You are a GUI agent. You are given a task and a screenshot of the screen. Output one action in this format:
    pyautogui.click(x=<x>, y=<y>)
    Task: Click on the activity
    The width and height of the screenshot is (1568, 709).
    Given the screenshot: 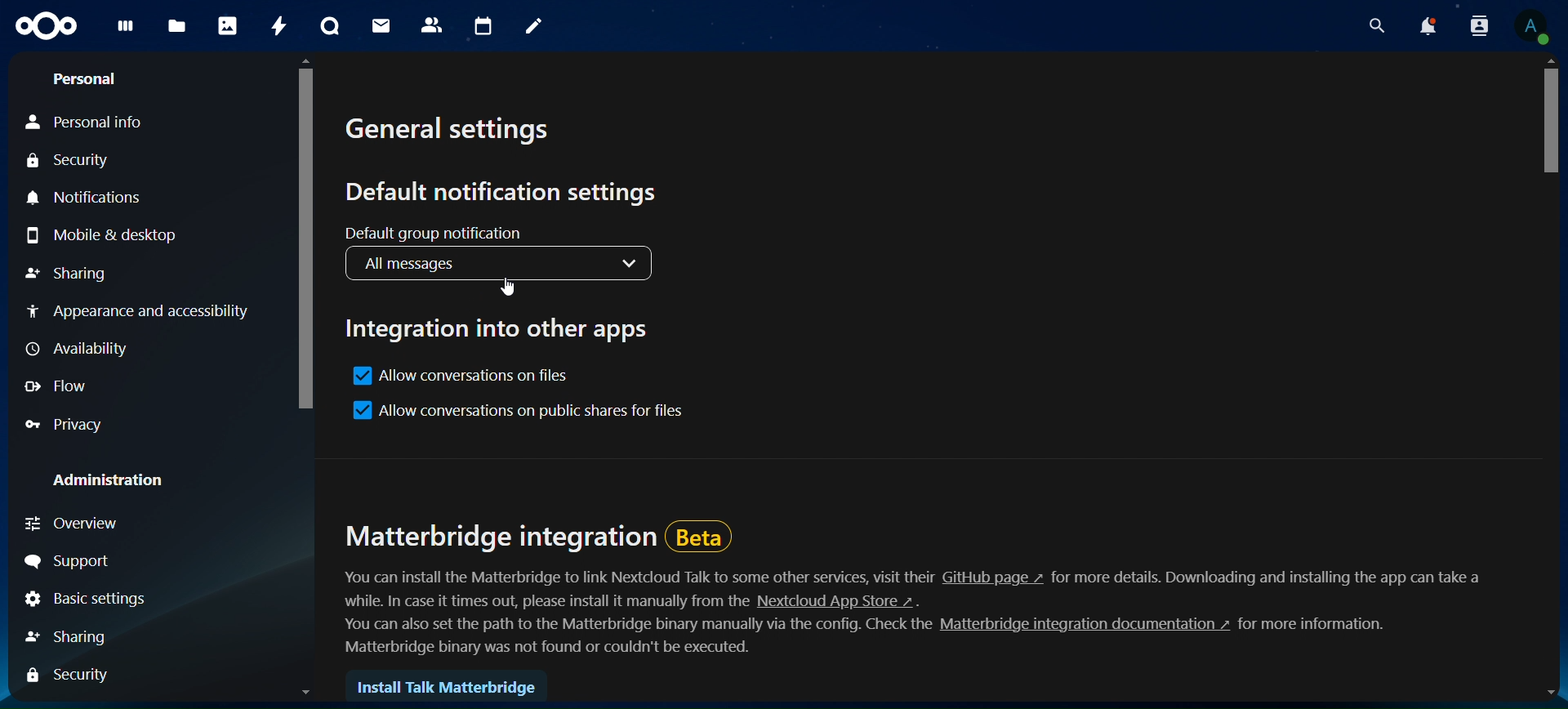 What is the action you would take?
    pyautogui.click(x=279, y=23)
    